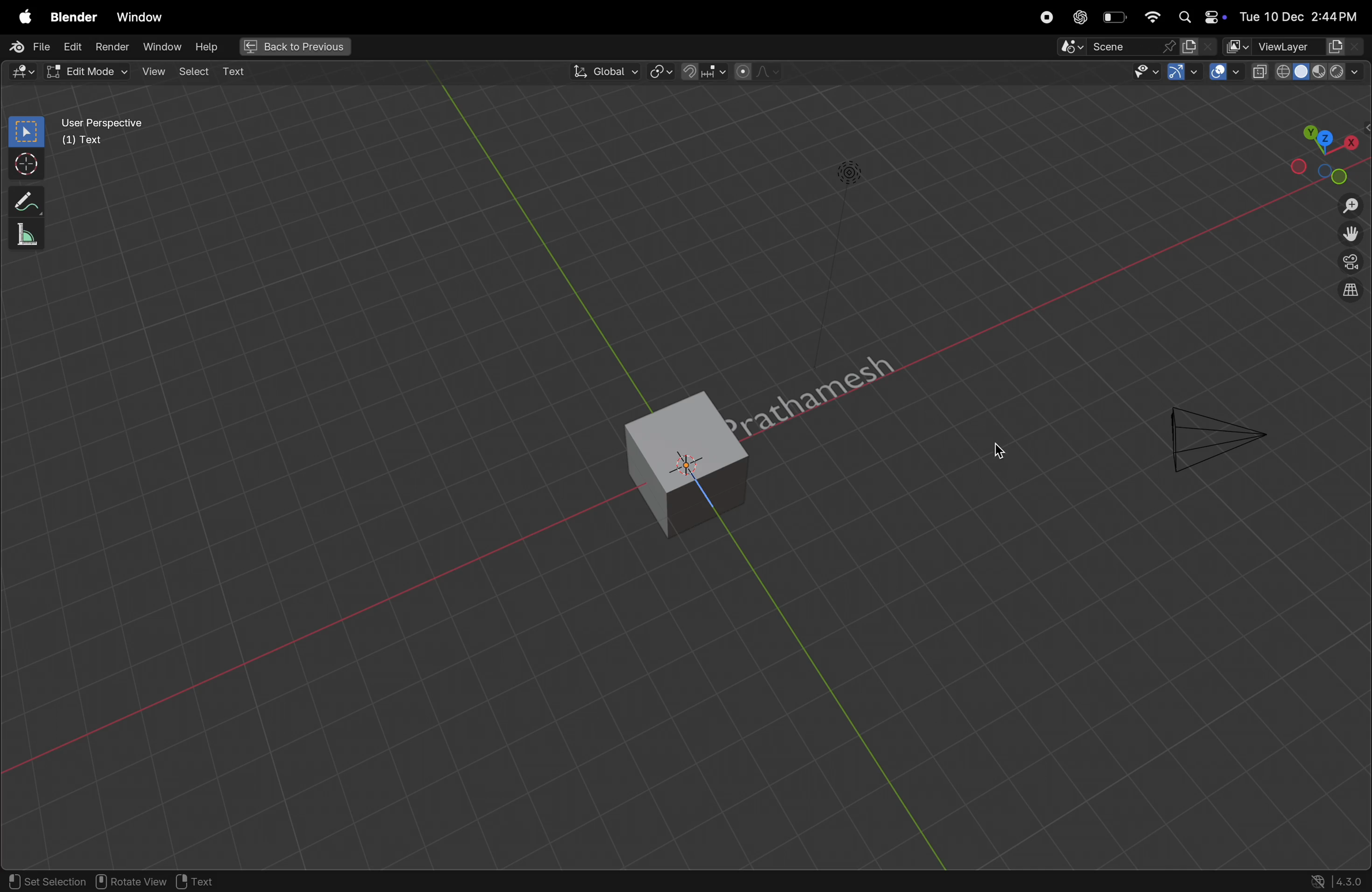  Describe the element at coordinates (239, 71) in the screenshot. I see `add` at that location.